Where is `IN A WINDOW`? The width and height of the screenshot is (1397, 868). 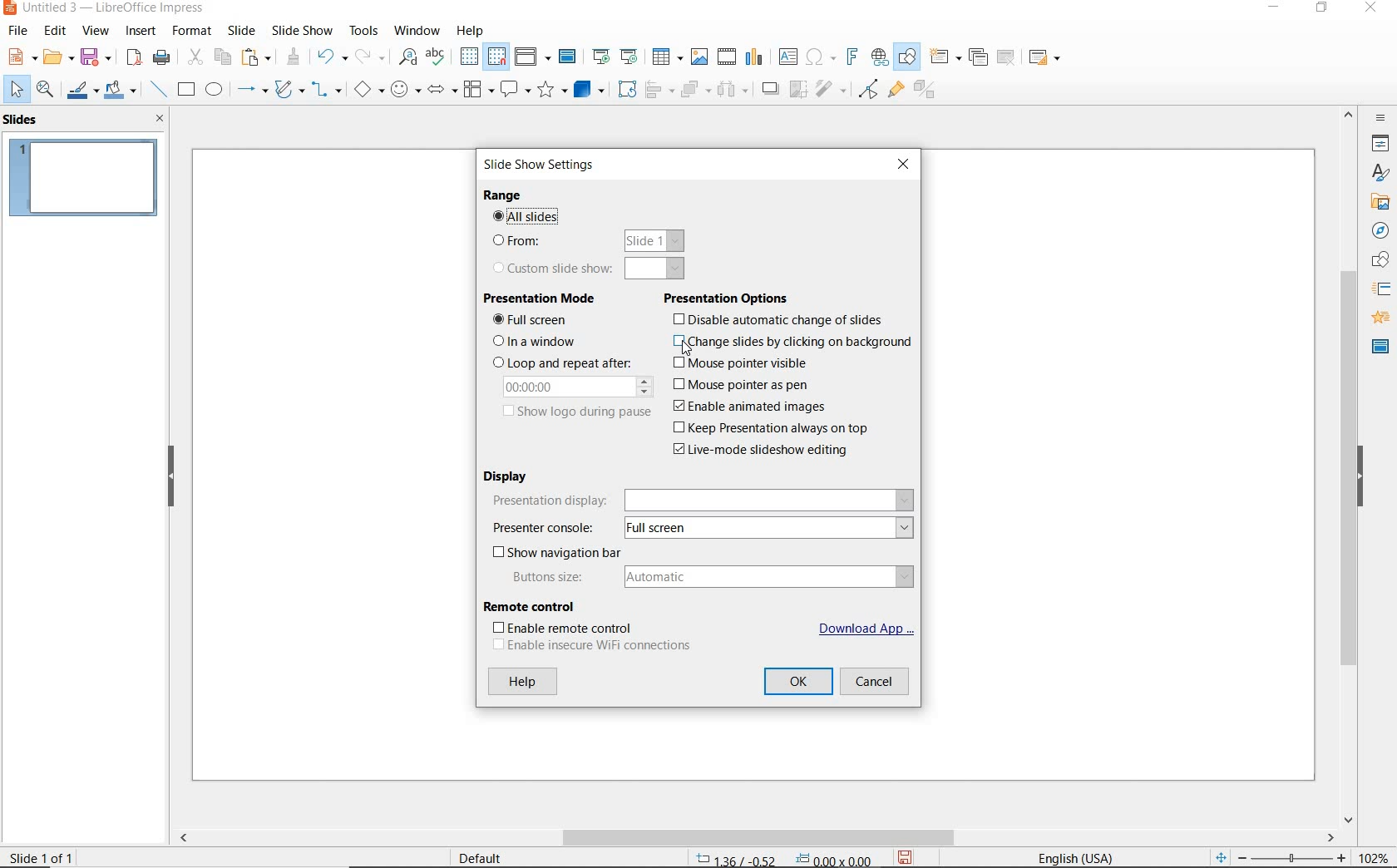
IN A WINDOW is located at coordinates (541, 343).